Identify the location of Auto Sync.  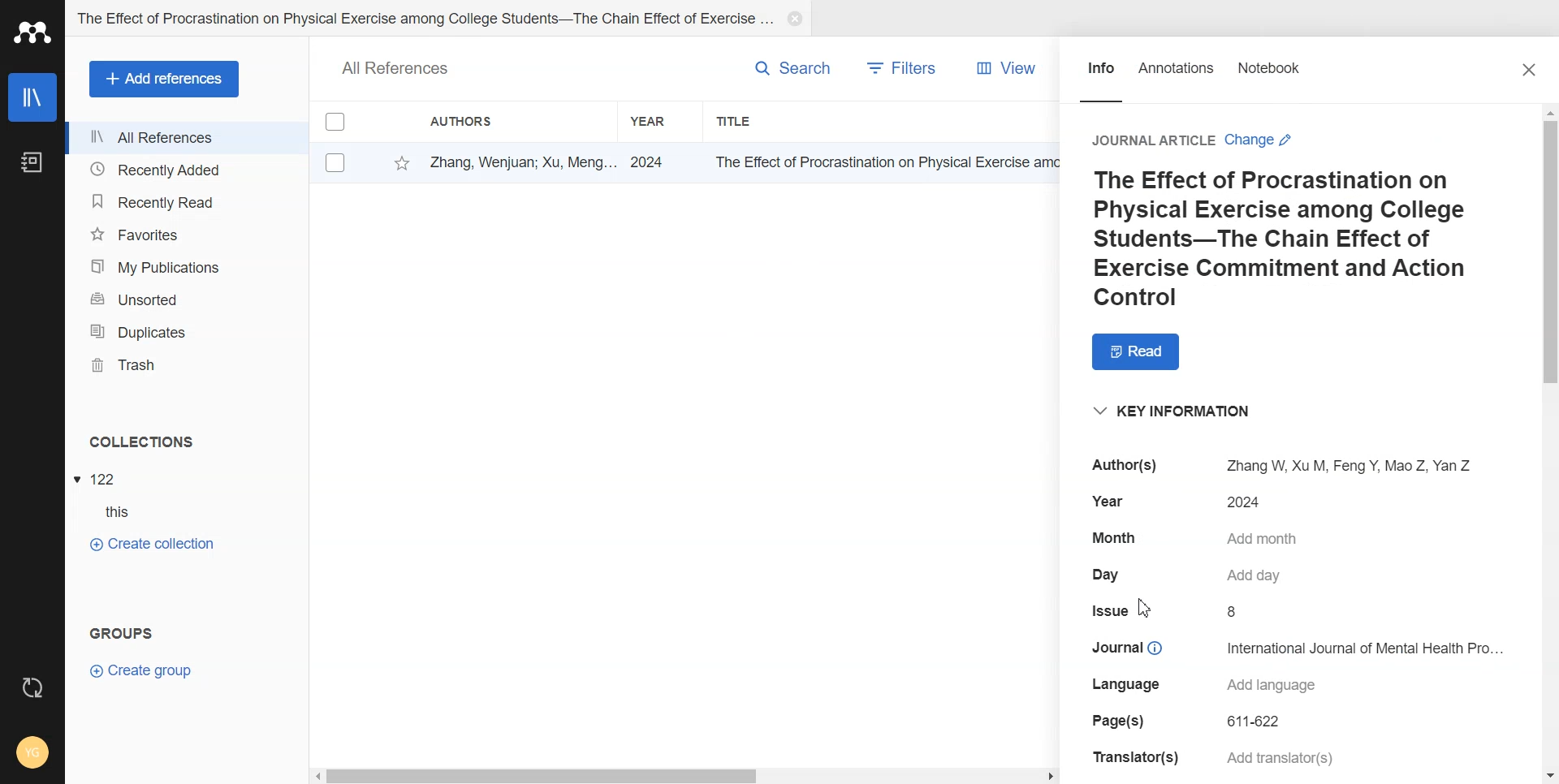
(32, 683).